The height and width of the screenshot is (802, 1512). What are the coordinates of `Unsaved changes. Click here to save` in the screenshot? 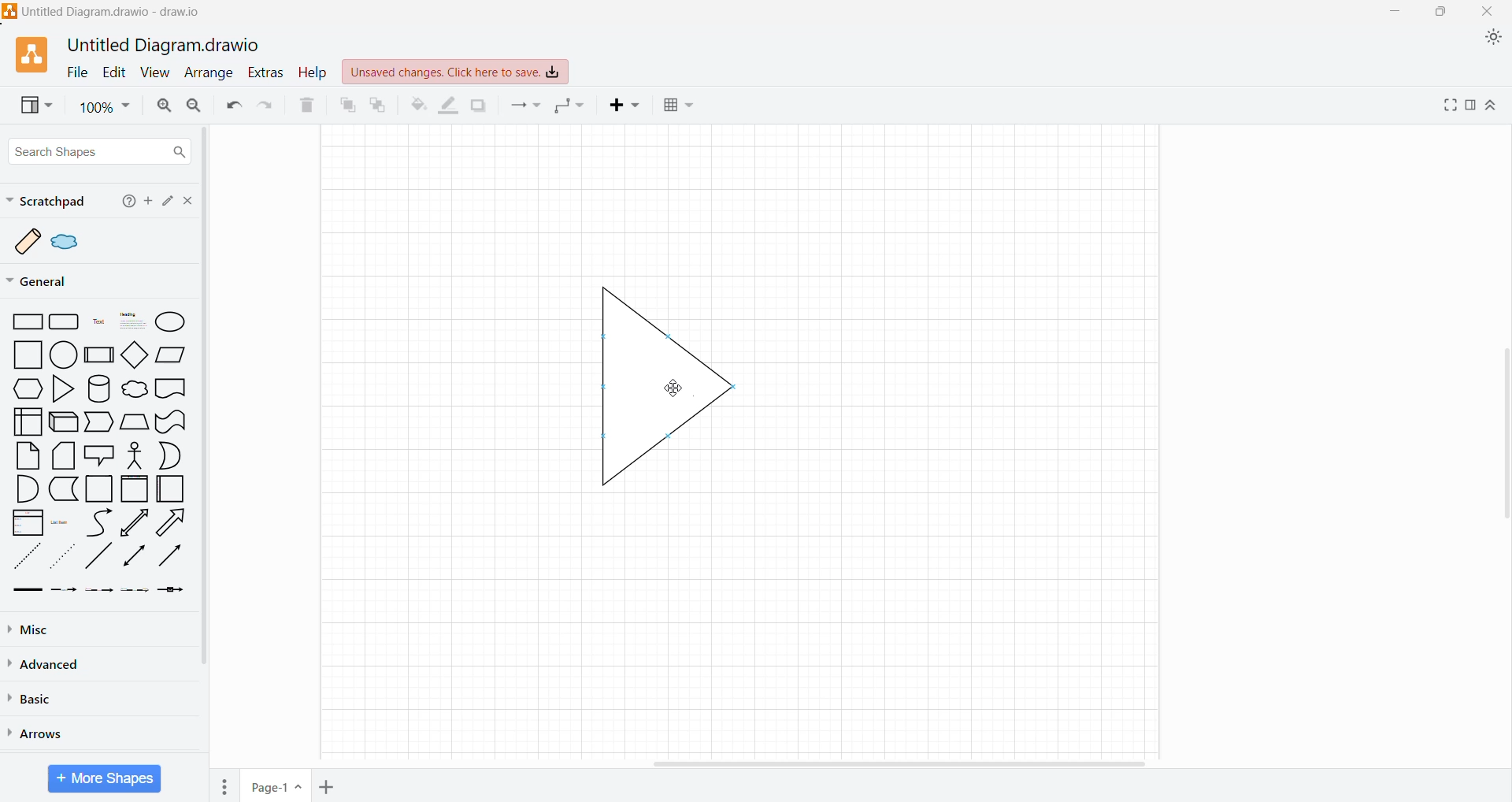 It's located at (454, 72).